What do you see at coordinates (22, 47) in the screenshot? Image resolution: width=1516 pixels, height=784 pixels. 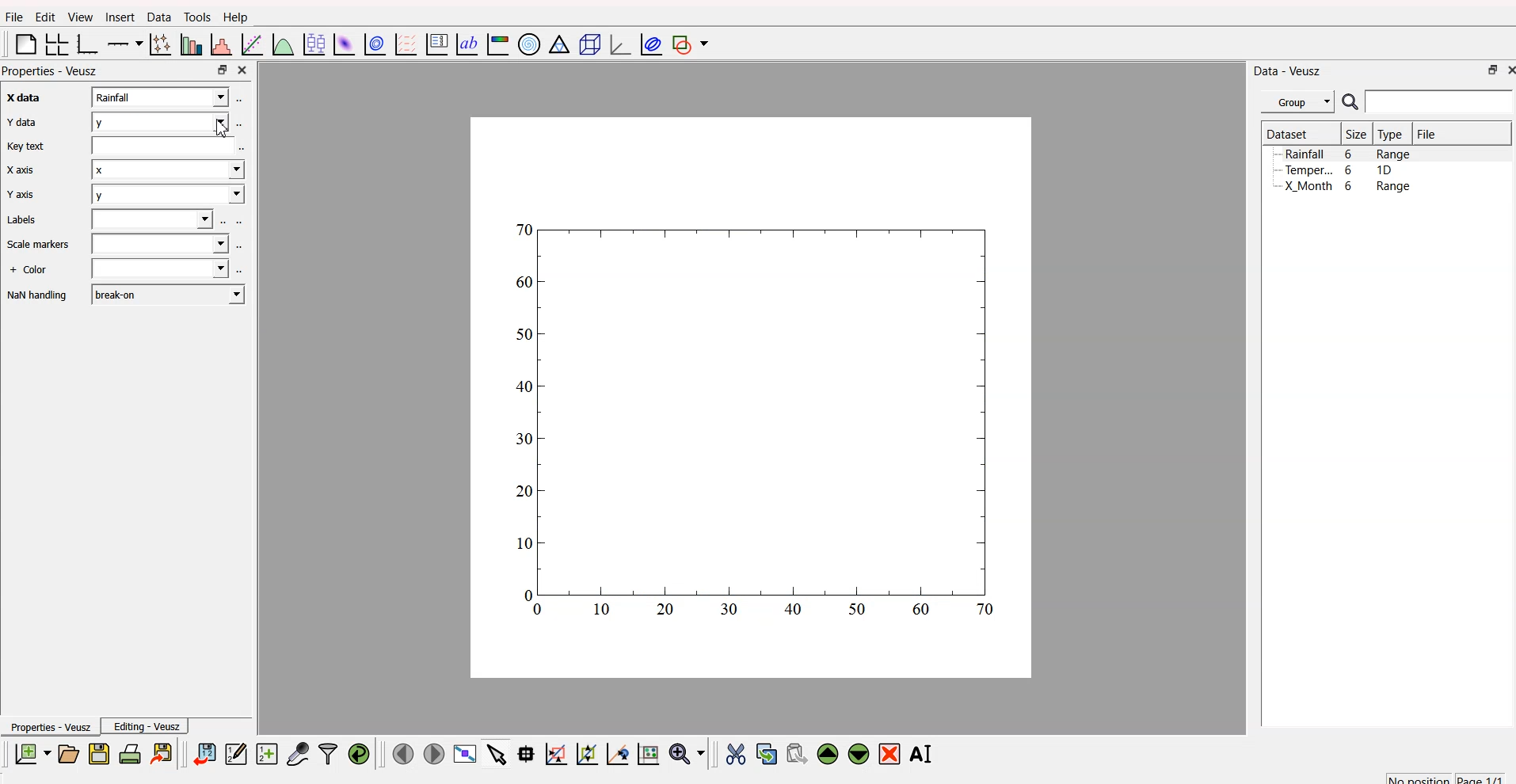 I see `blank page` at bounding box center [22, 47].